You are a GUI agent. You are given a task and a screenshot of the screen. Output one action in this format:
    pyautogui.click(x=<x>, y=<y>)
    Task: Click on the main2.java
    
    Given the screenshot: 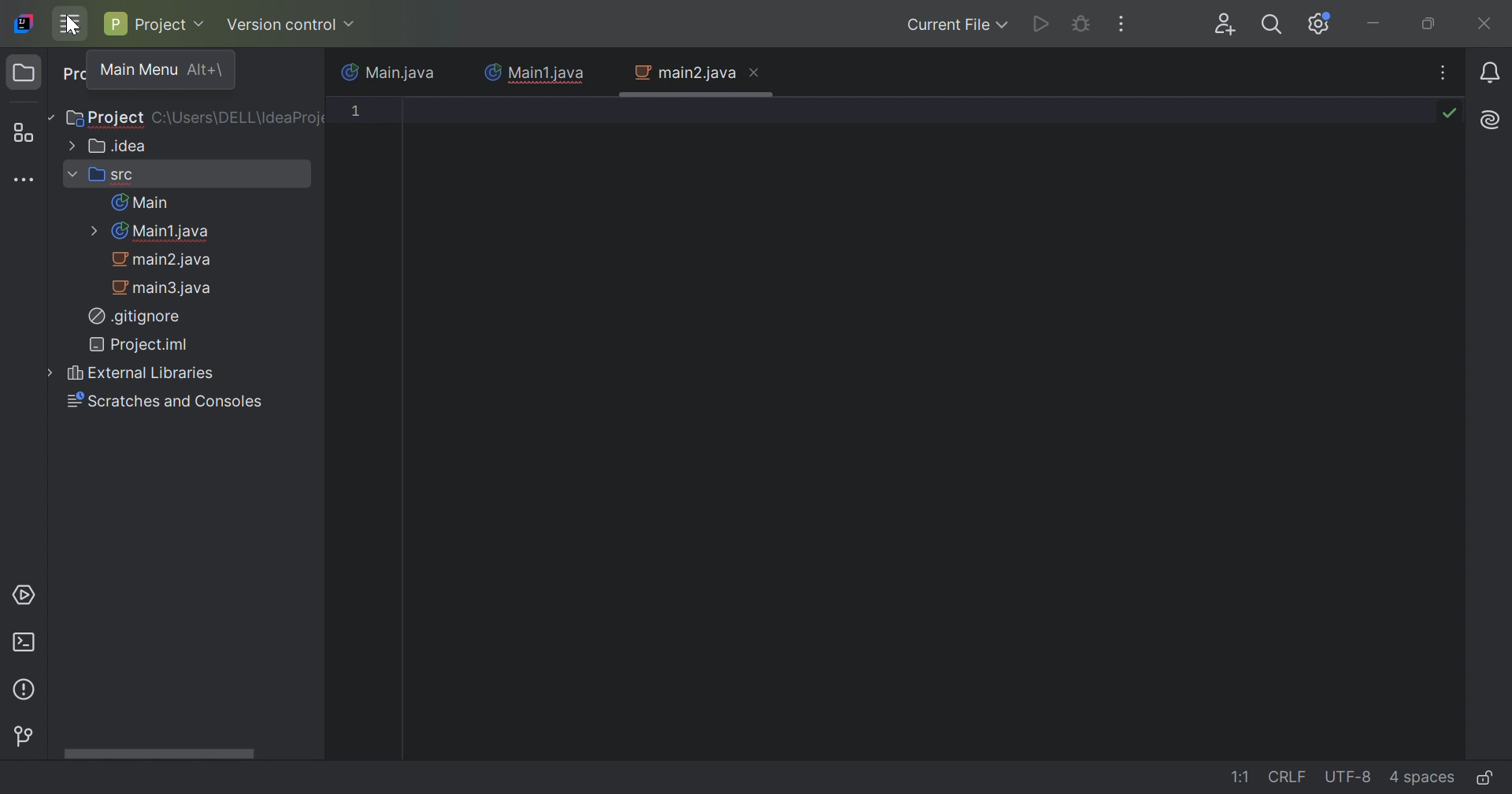 What is the action you would take?
    pyautogui.click(x=164, y=260)
    